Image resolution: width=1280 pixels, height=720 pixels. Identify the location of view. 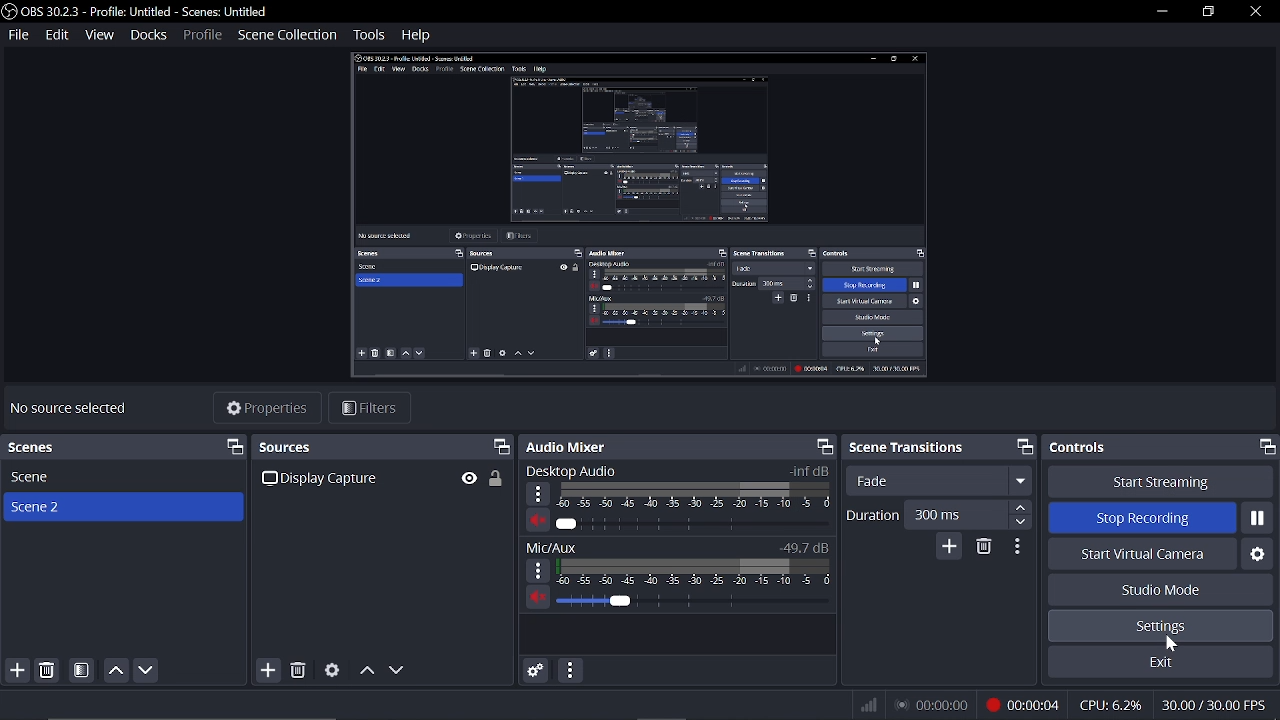
(100, 34).